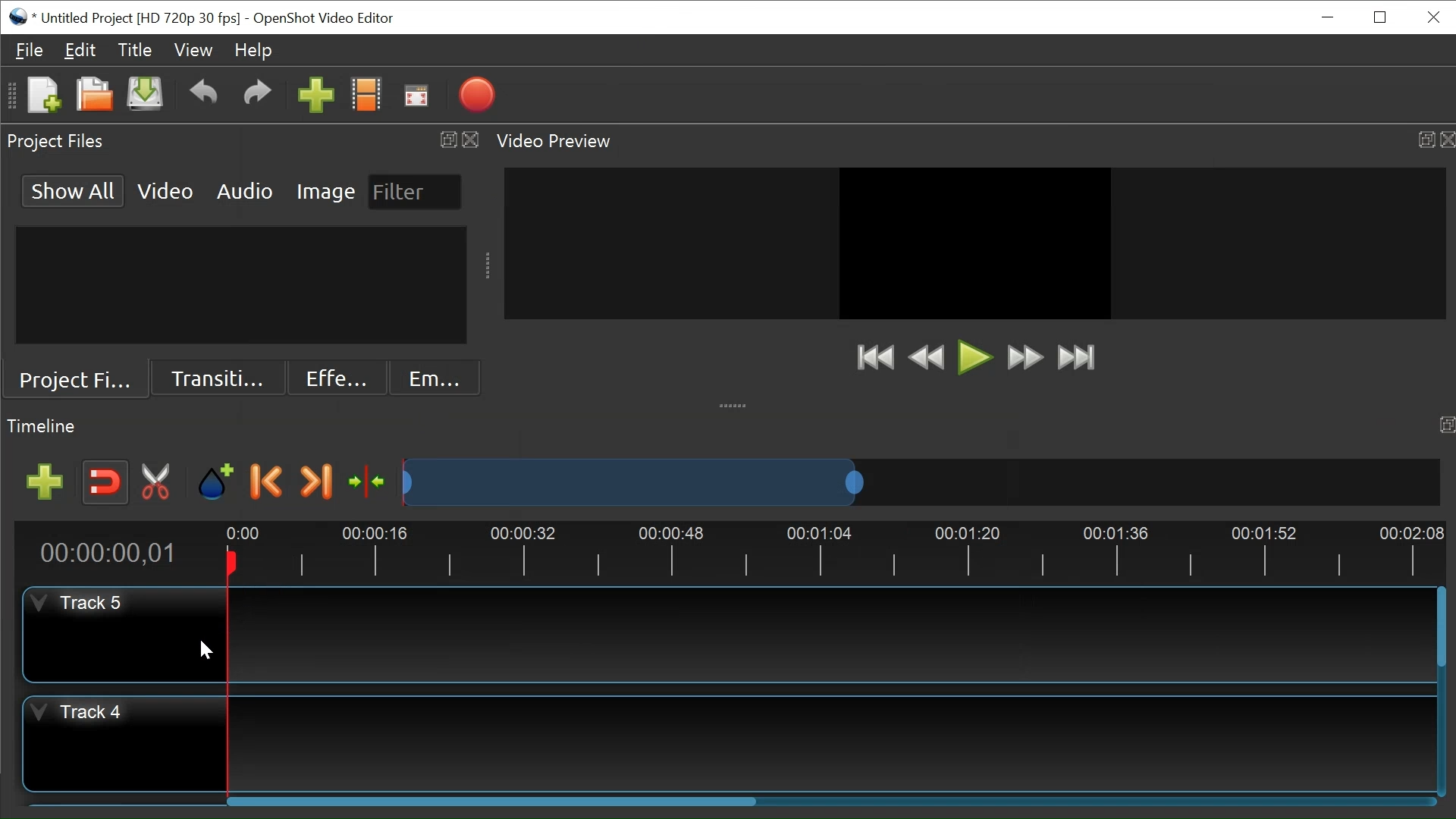 This screenshot has height=819, width=1456. I want to click on Add Marker, so click(215, 482).